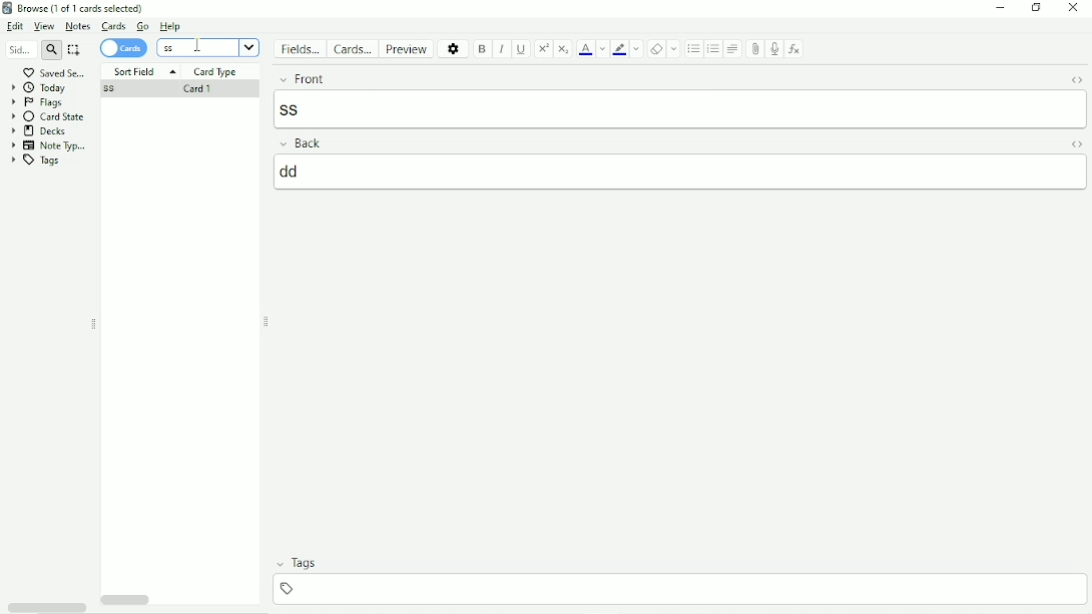 Image resolution: width=1092 pixels, height=614 pixels. Describe the element at coordinates (52, 116) in the screenshot. I see `Card State` at that location.